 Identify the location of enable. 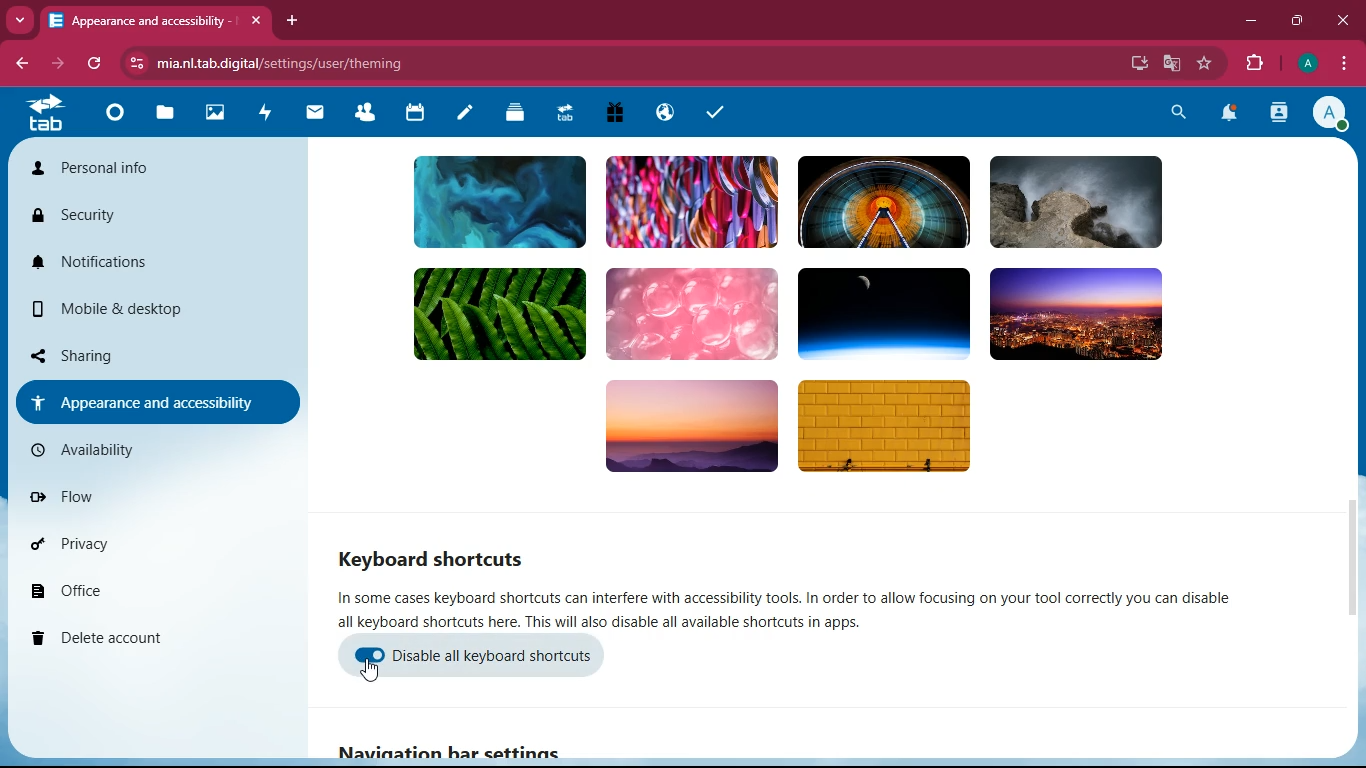
(371, 663).